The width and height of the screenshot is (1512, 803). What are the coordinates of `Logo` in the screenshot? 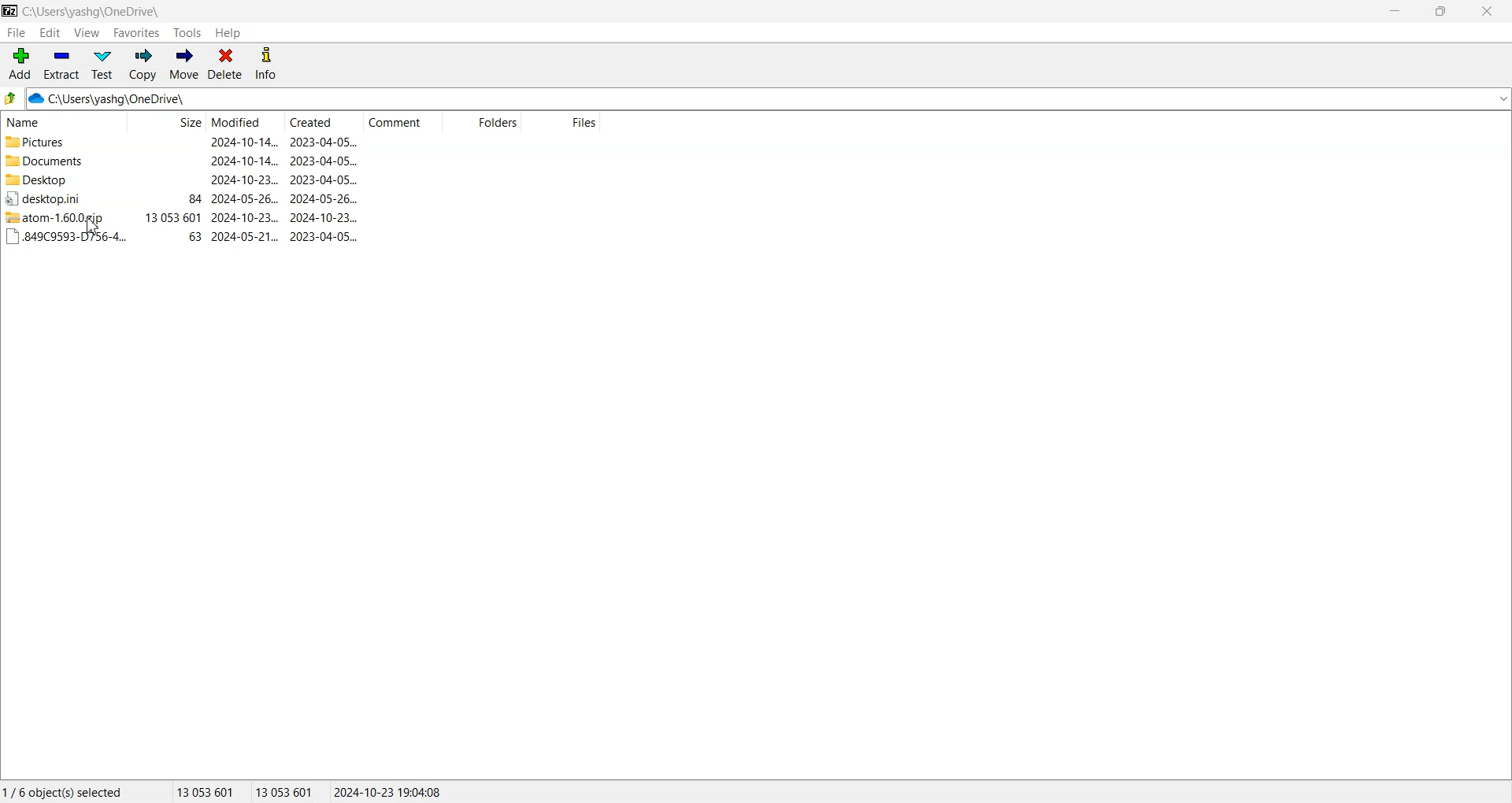 It's located at (10, 10).